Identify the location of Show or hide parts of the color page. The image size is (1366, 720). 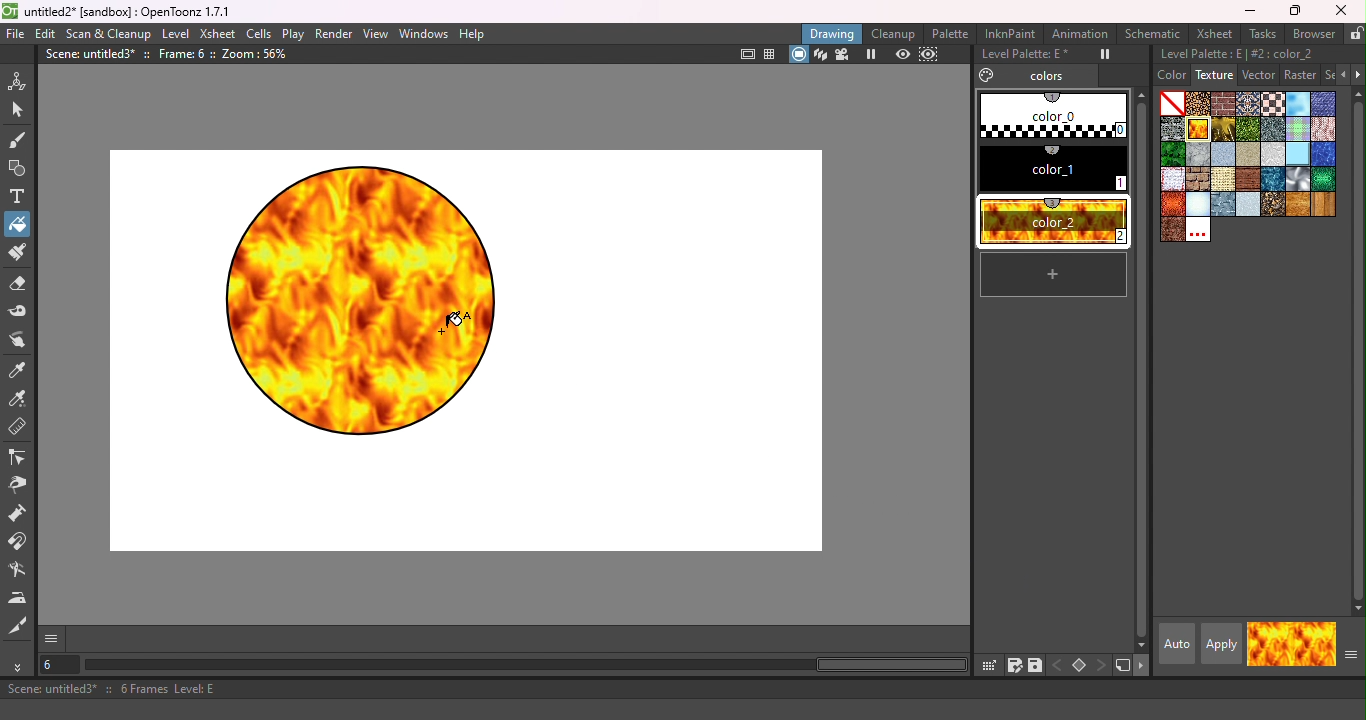
(1349, 658).